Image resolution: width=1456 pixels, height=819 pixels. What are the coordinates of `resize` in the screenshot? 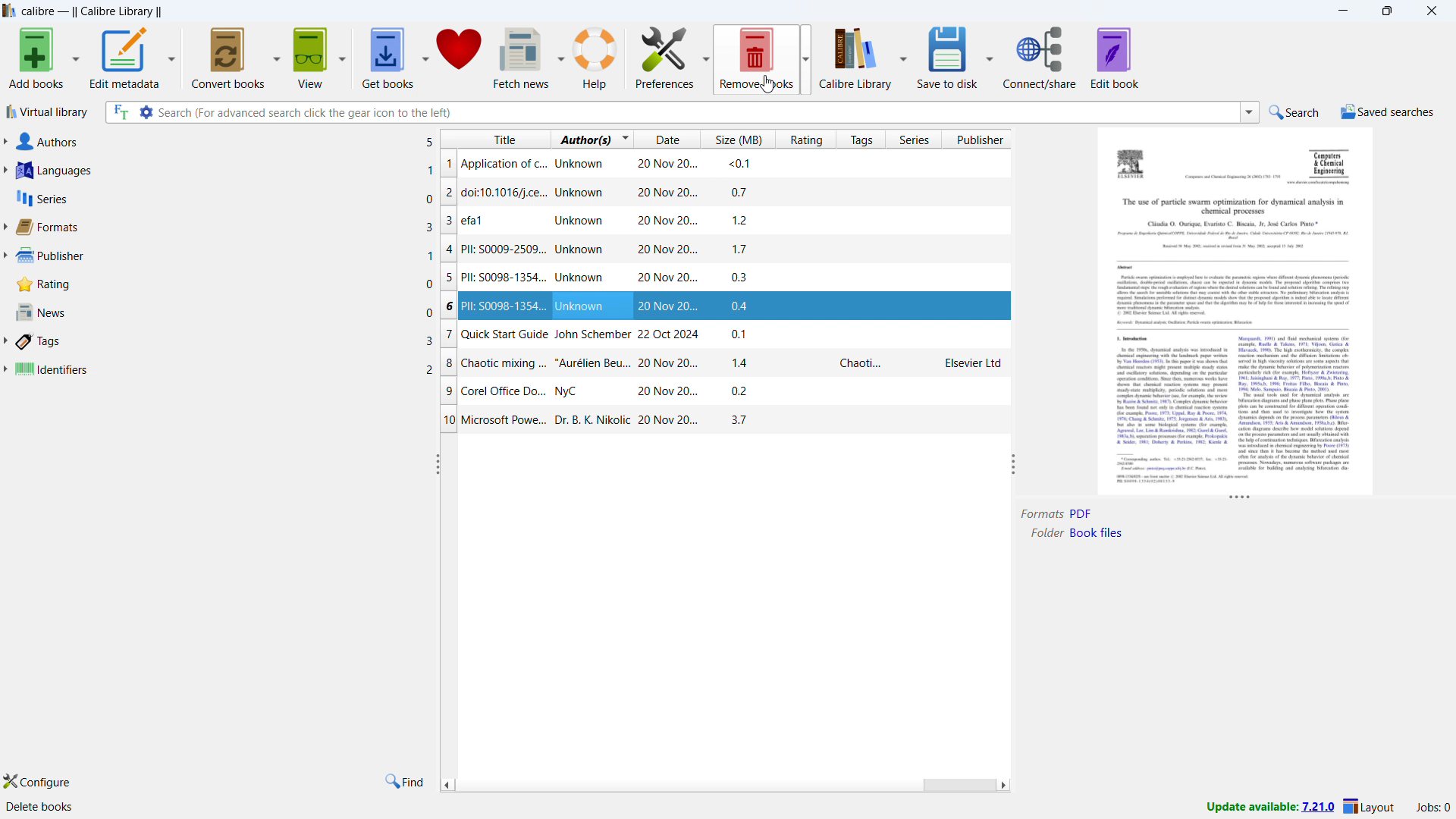 It's located at (438, 464).